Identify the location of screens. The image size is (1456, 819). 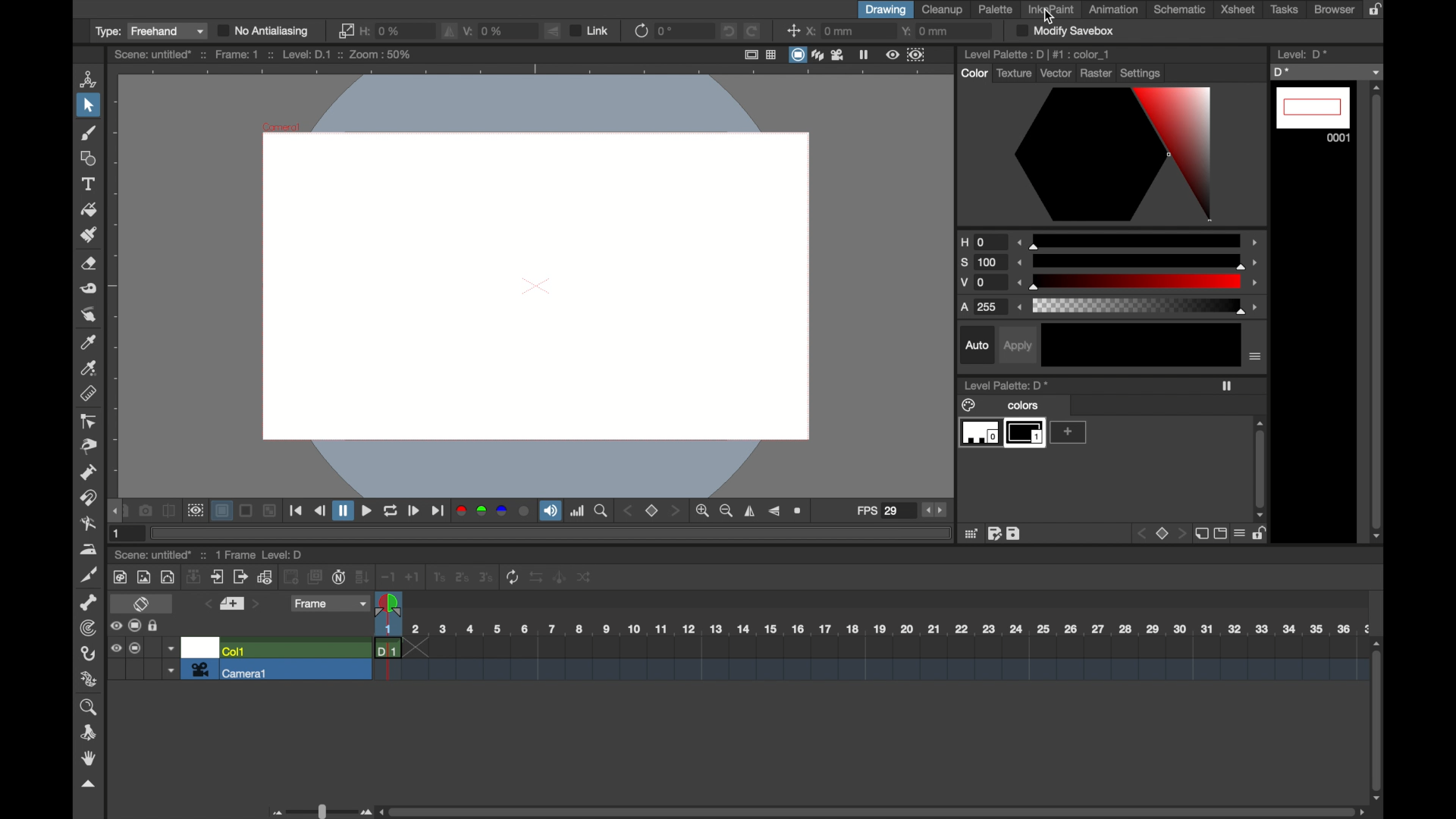
(315, 578).